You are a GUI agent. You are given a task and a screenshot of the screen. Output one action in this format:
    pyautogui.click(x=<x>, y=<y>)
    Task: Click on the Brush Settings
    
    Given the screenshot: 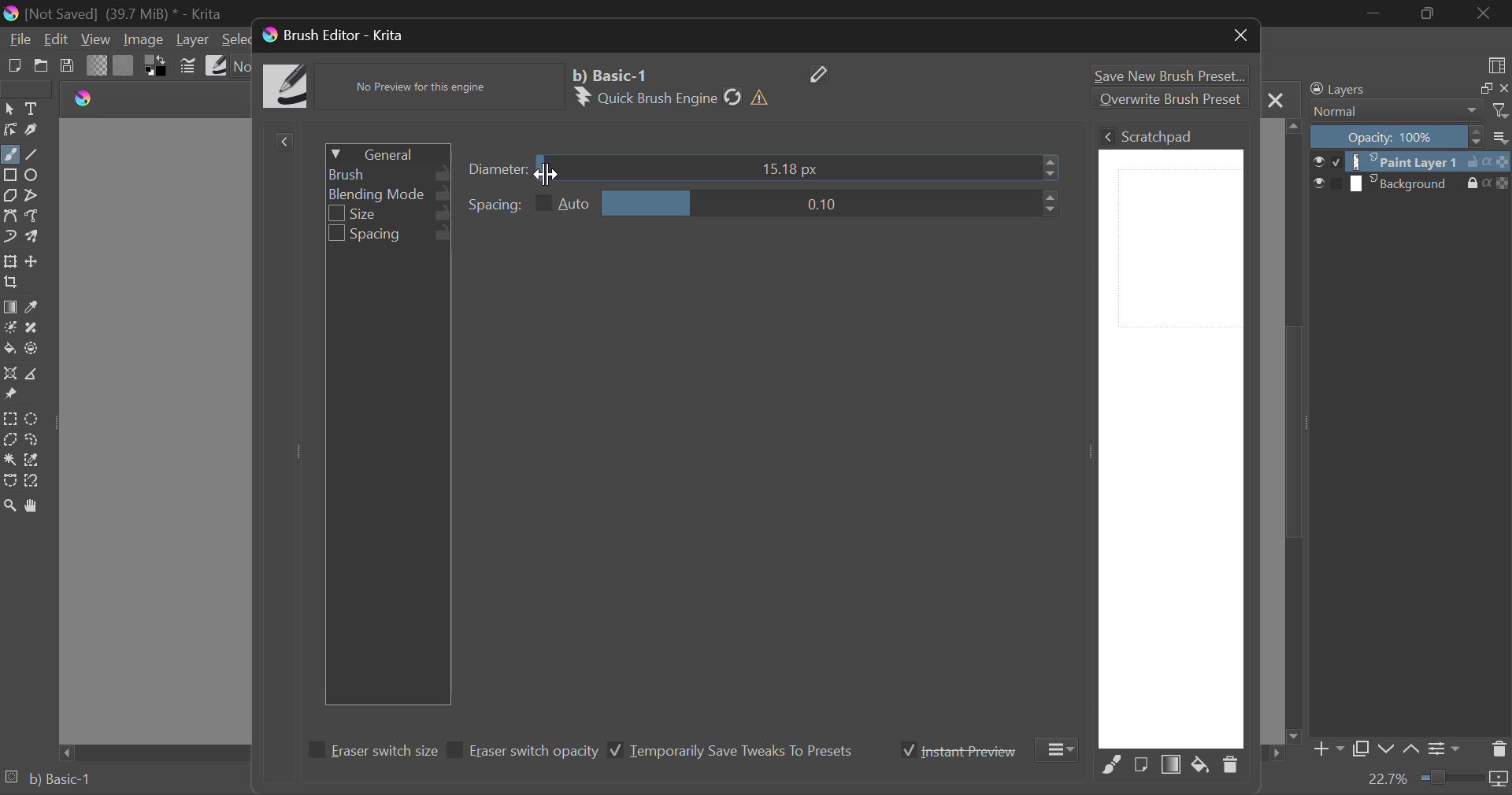 What is the action you would take?
    pyautogui.click(x=188, y=66)
    